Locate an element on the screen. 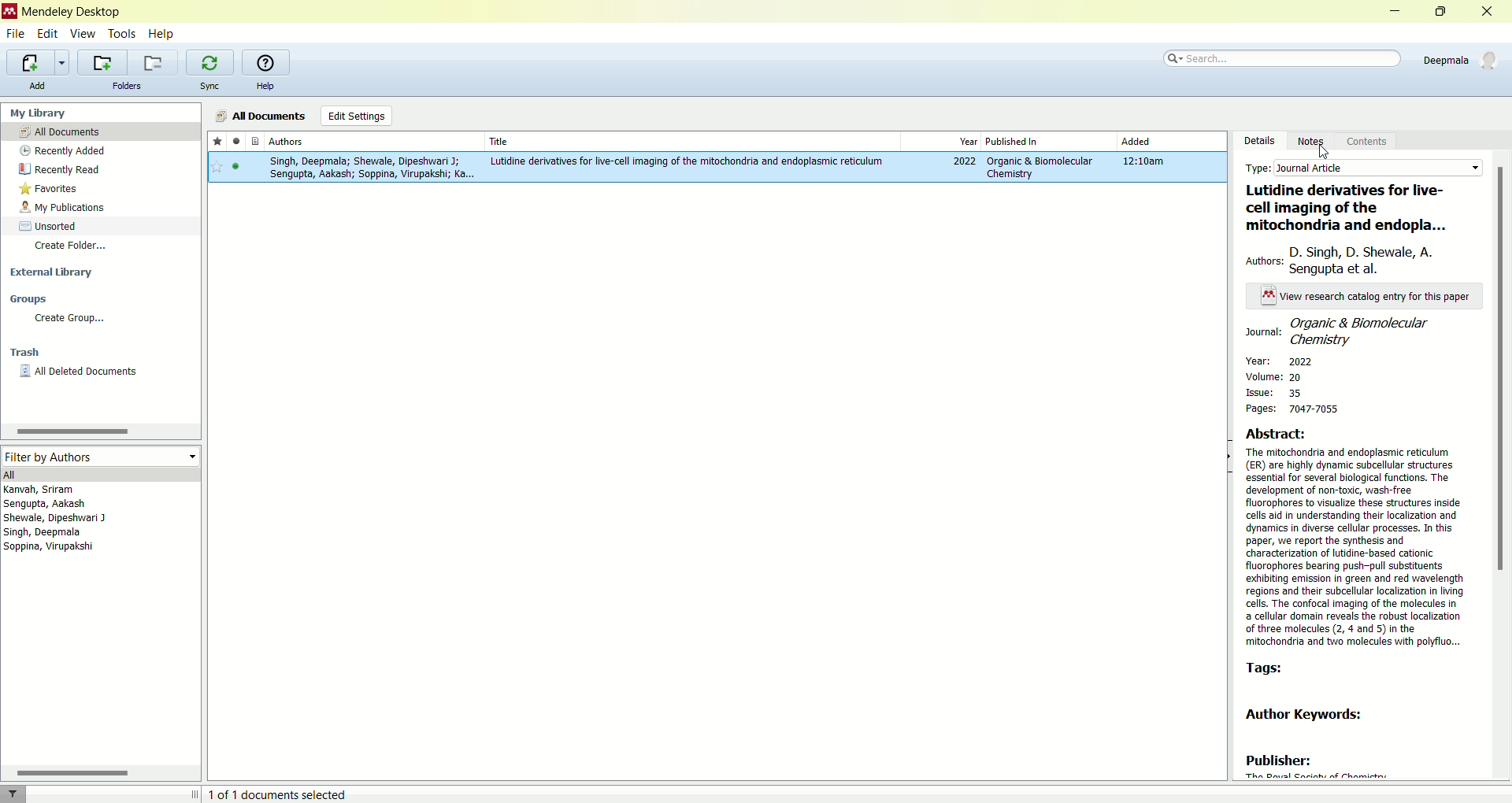 The height and width of the screenshot is (803, 1512). Shewale, Dipeshwari J is located at coordinates (68, 519).